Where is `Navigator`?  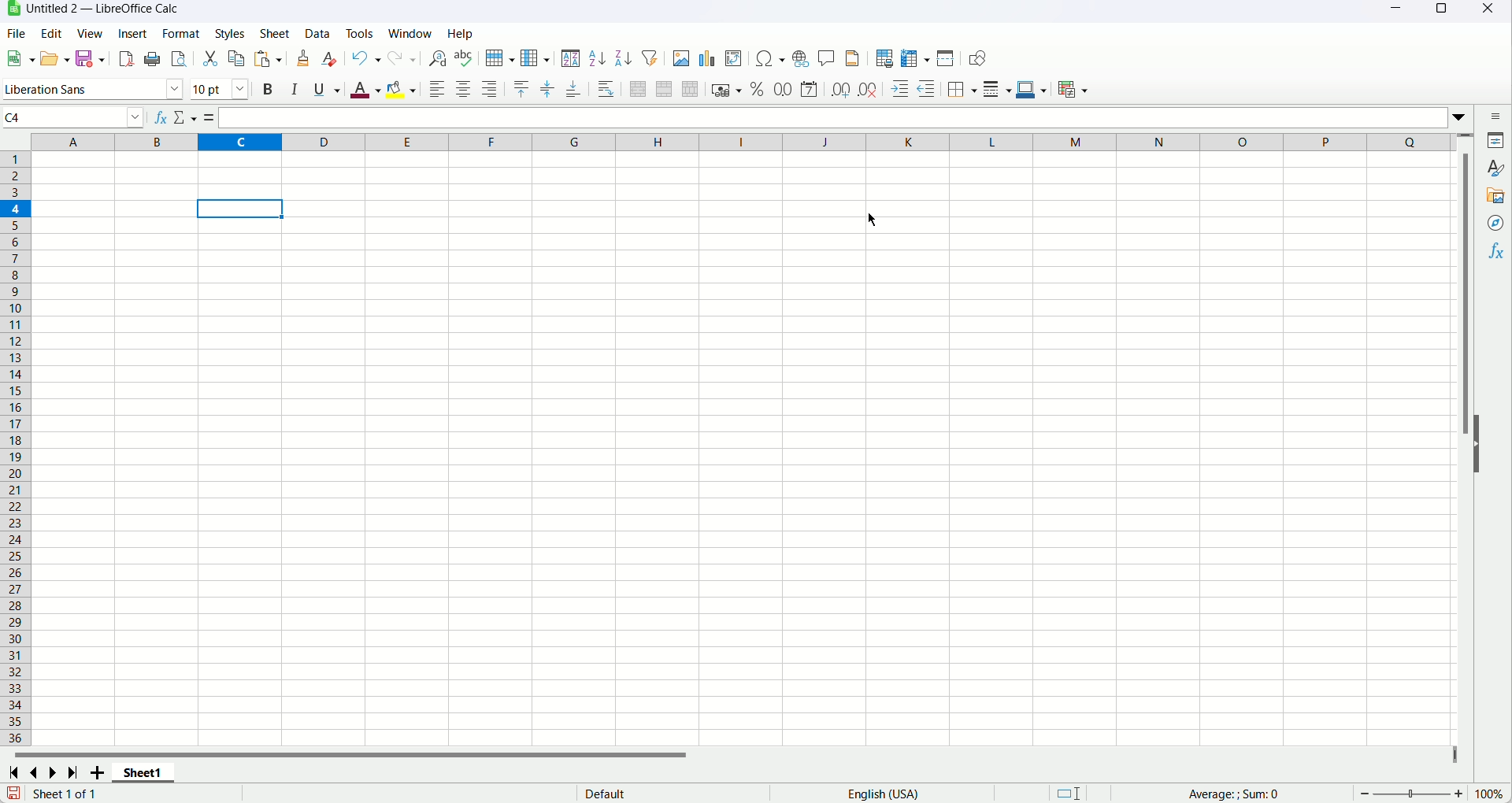
Navigator is located at coordinates (1497, 224).